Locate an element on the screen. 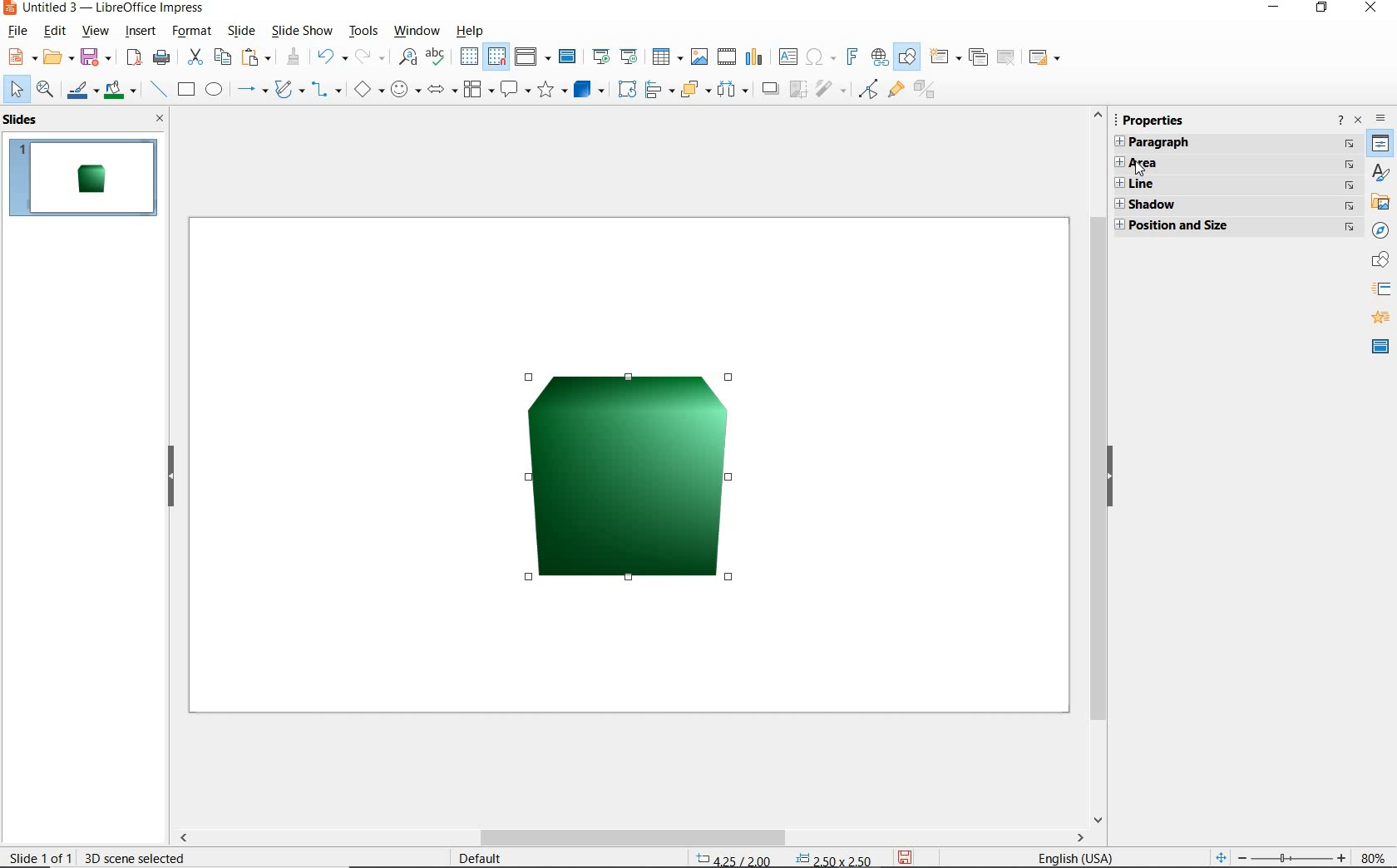  ZOOM FACTOR is located at coordinates (1371, 855).